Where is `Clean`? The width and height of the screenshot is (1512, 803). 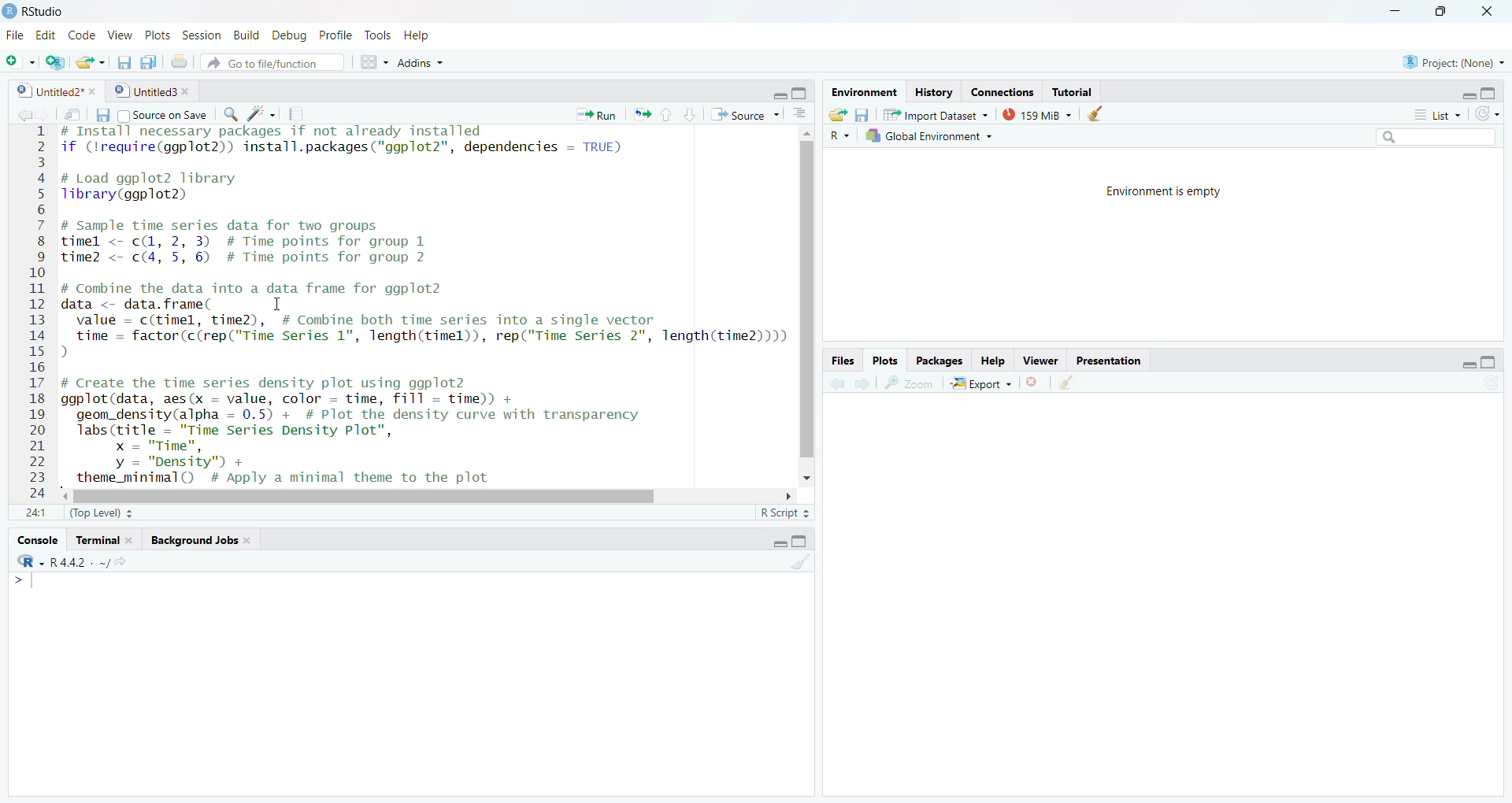
Clean is located at coordinates (1065, 382).